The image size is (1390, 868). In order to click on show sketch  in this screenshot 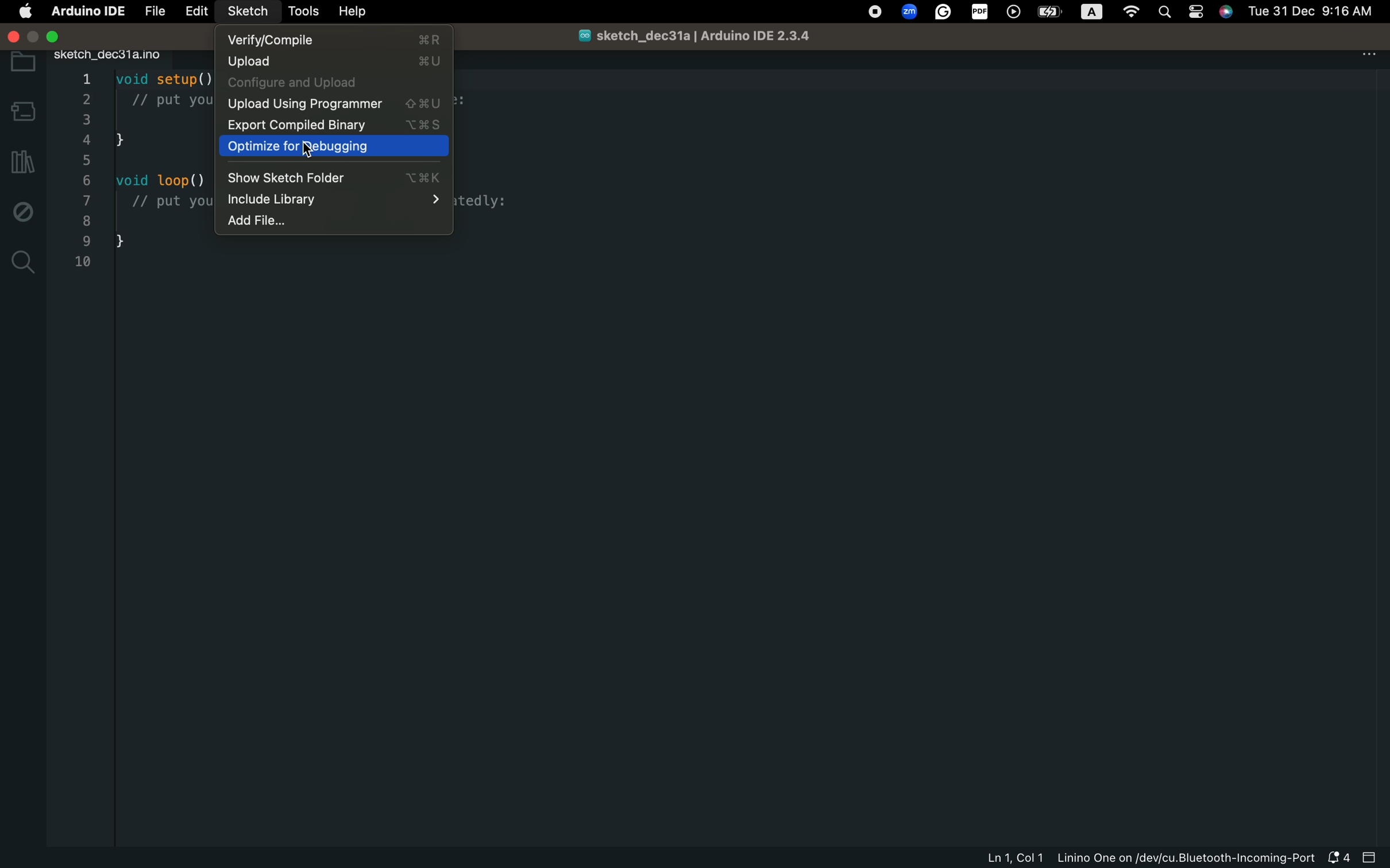, I will do `click(334, 178)`.